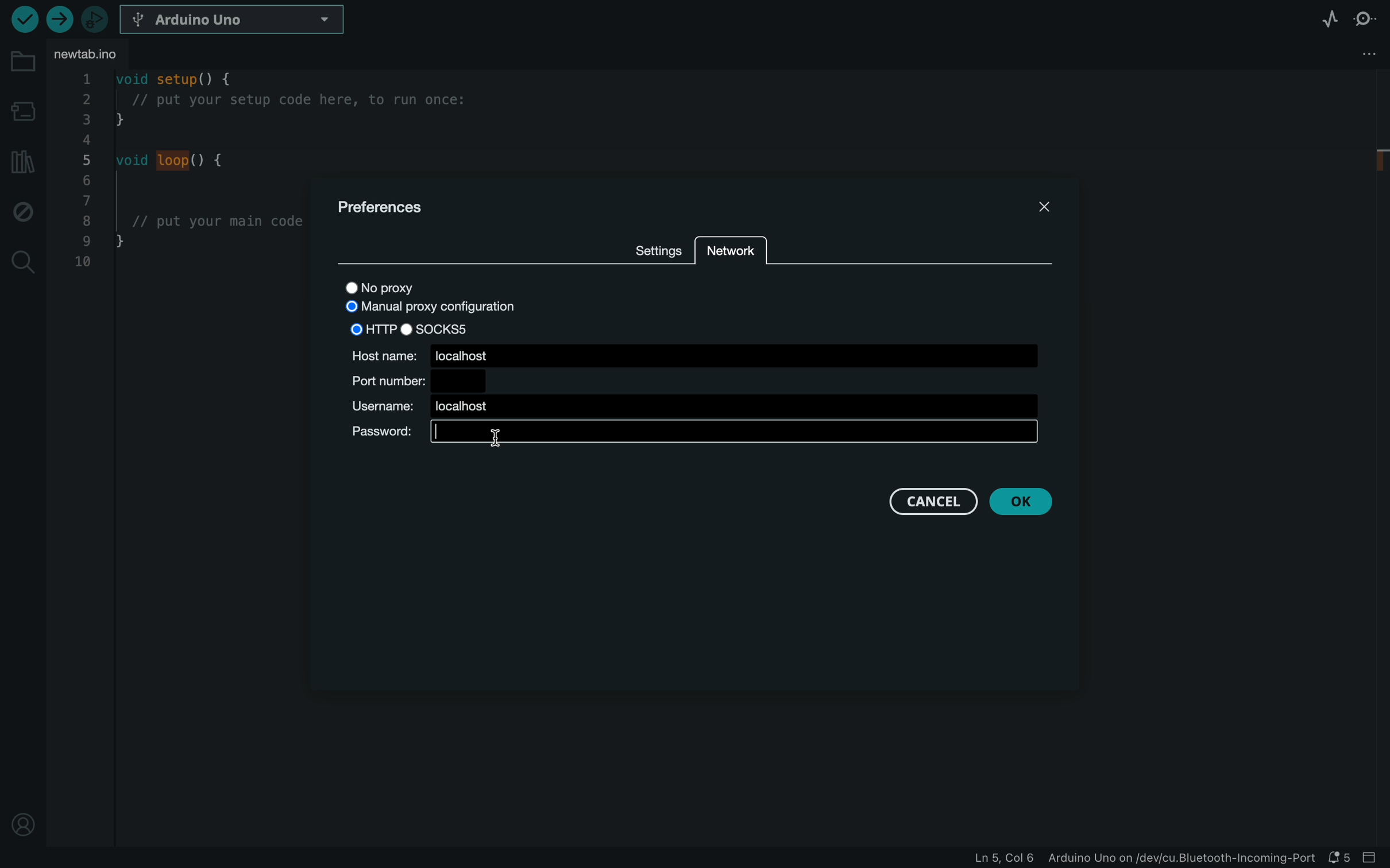 This screenshot has height=868, width=1390. I want to click on port number, so click(415, 379).